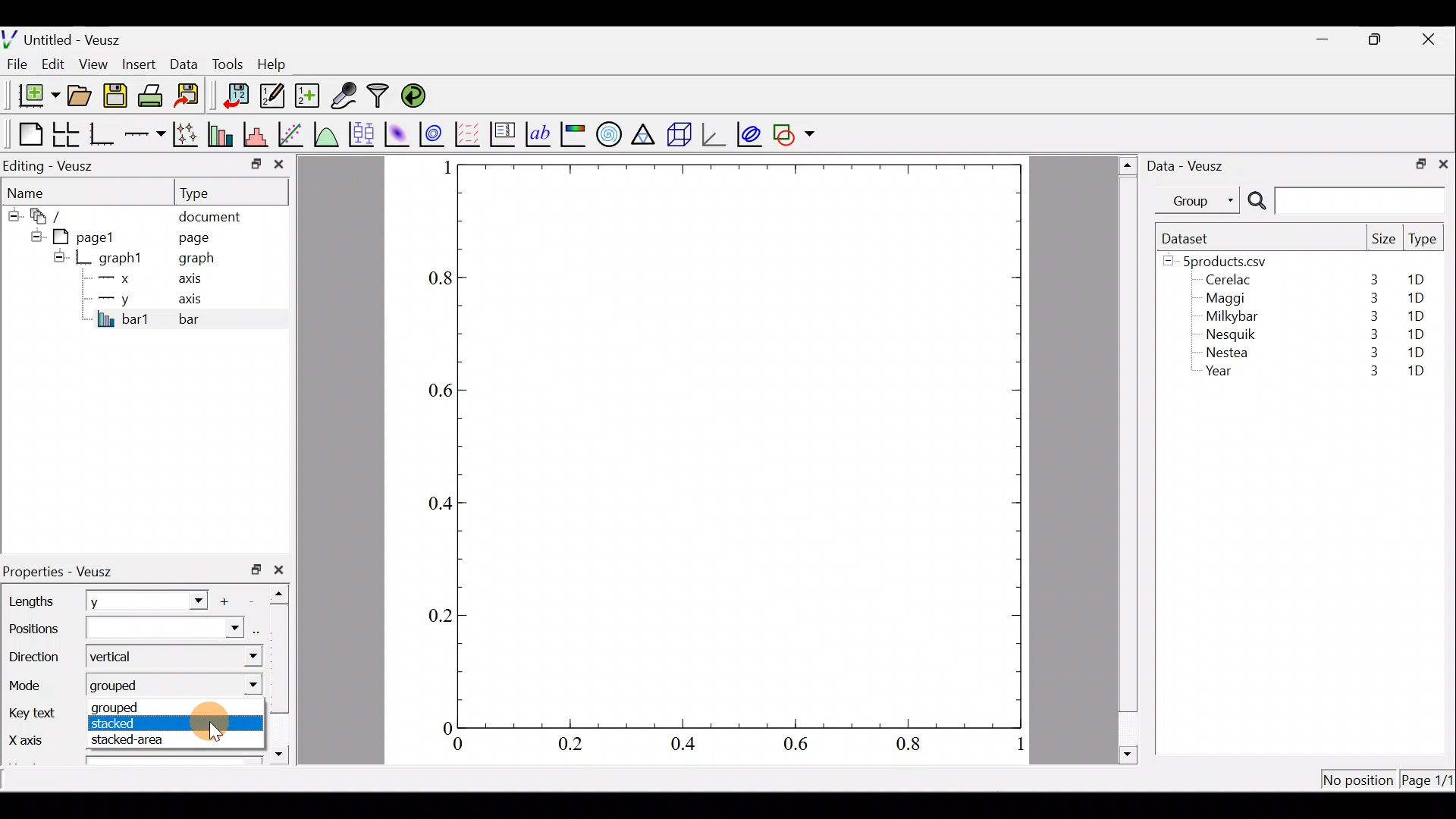 The height and width of the screenshot is (819, 1456). What do you see at coordinates (256, 600) in the screenshot?
I see `Remove item` at bounding box center [256, 600].